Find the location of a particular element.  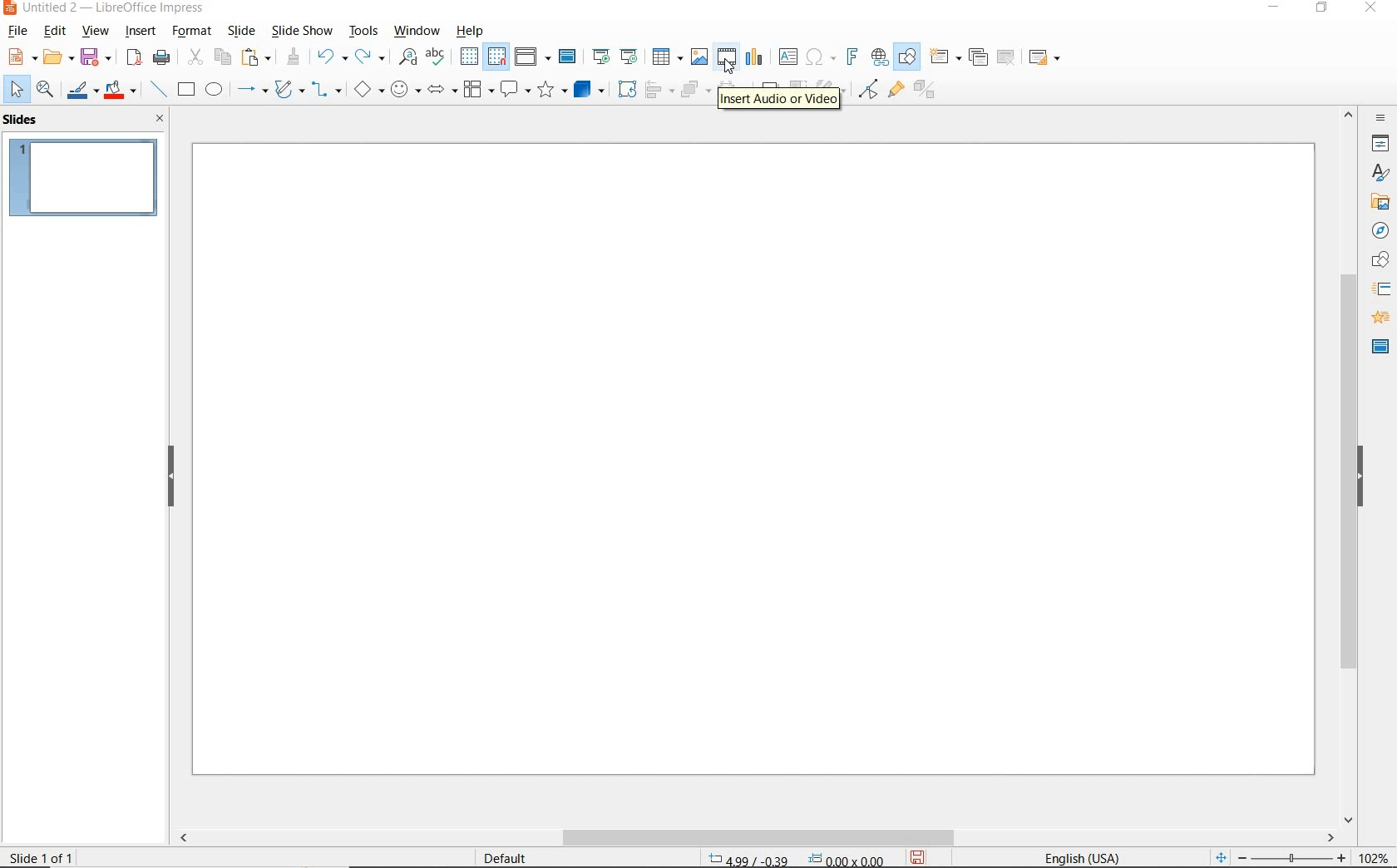

 is located at coordinates (787, 58).